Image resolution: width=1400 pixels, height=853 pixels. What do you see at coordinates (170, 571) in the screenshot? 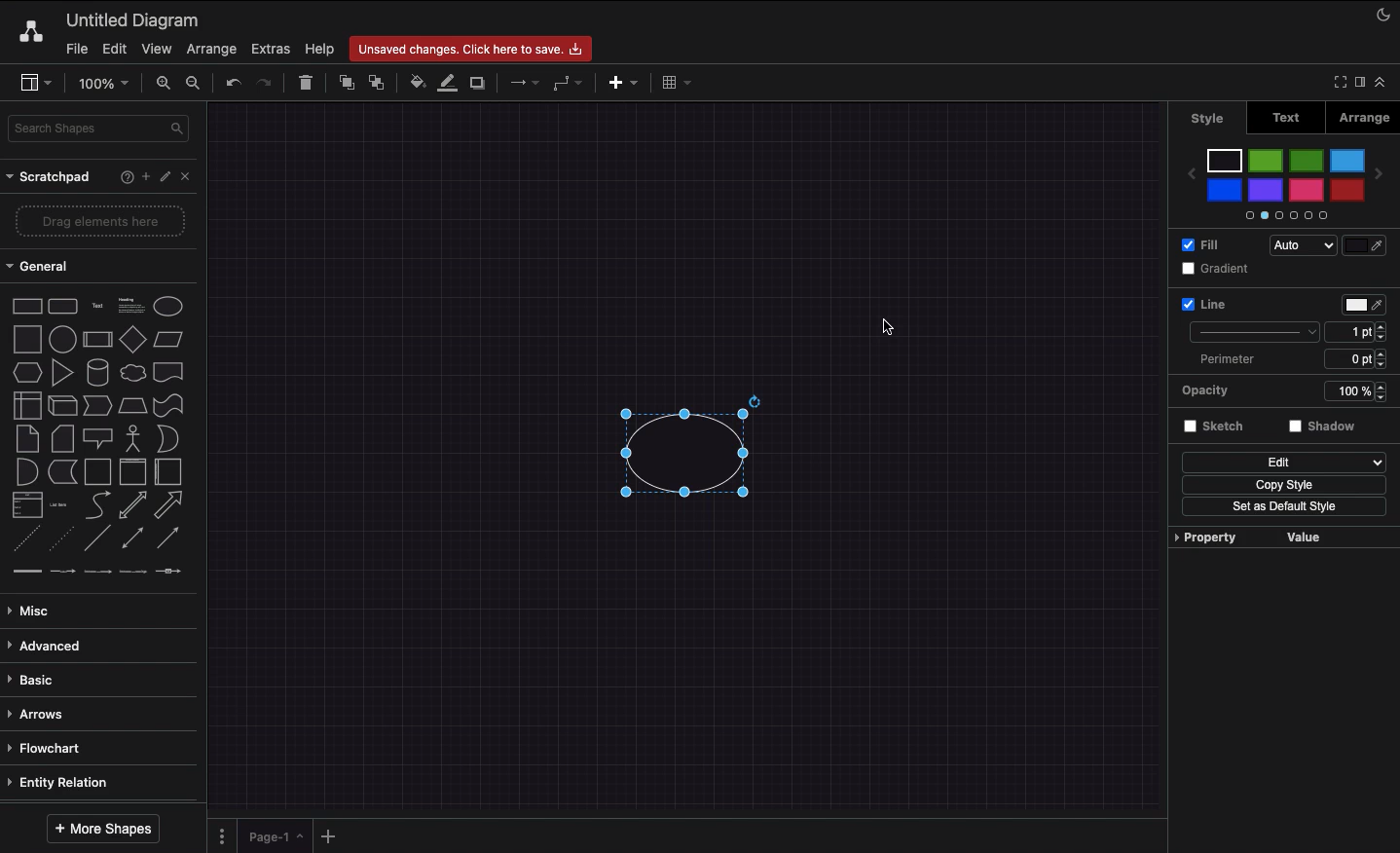
I see `connector 5` at bounding box center [170, 571].